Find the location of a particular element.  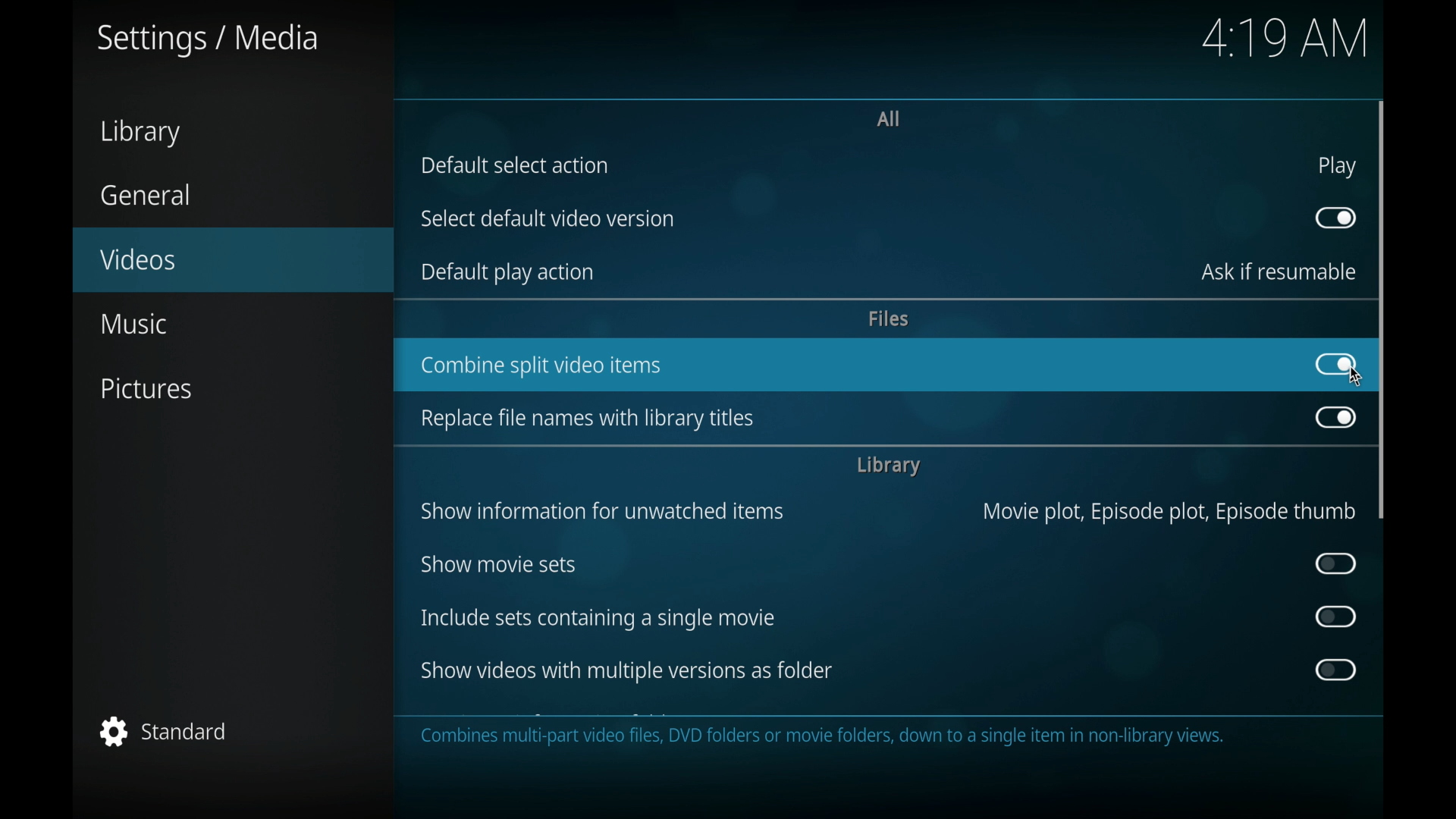

ask if resumable is located at coordinates (1280, 271).